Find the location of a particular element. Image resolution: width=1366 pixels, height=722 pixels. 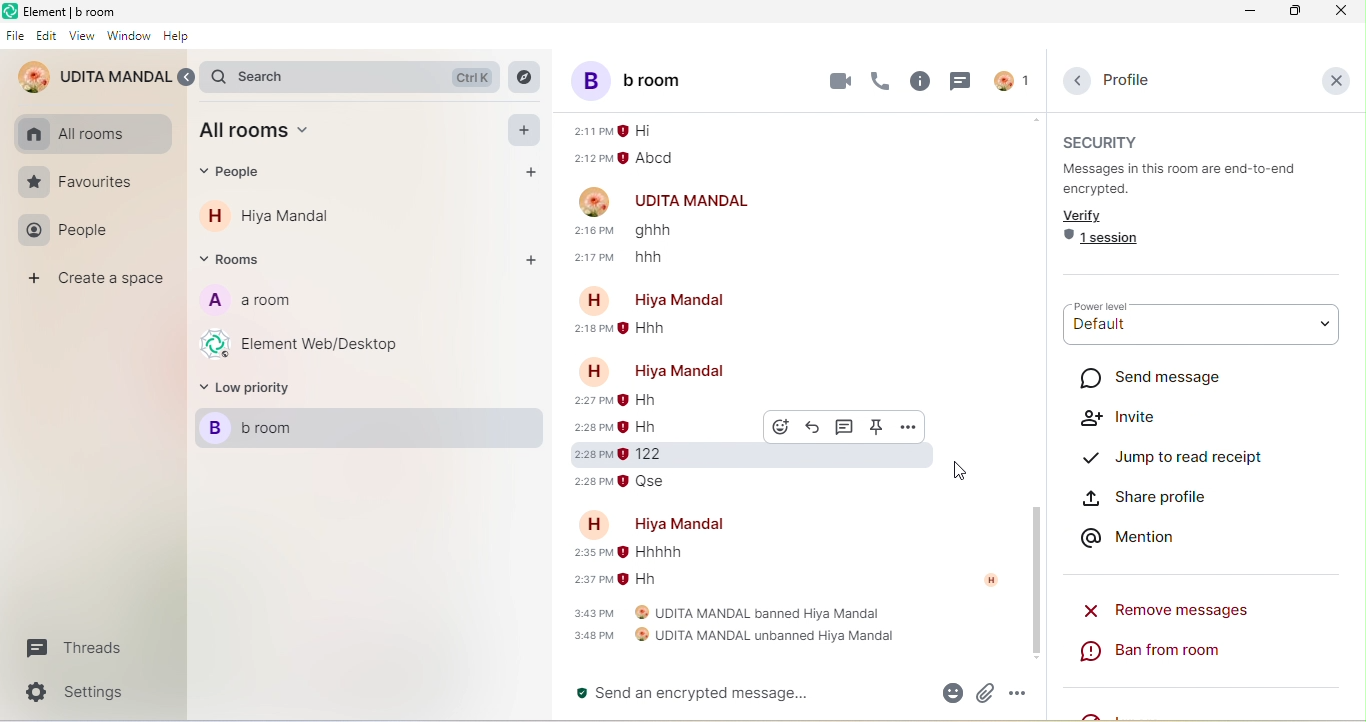

remove messages is located at coordinates (1162, 612).